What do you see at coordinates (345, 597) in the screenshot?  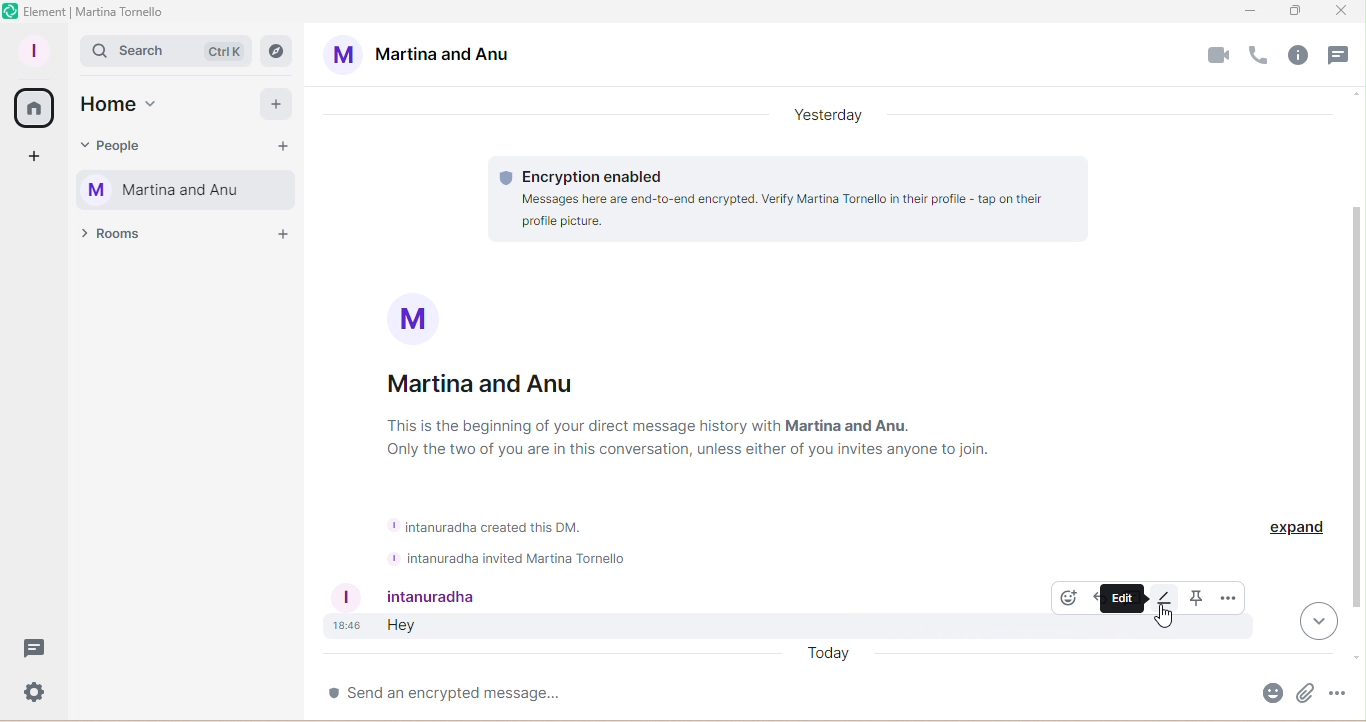 I see `profile` at bounding box center [345, 597].